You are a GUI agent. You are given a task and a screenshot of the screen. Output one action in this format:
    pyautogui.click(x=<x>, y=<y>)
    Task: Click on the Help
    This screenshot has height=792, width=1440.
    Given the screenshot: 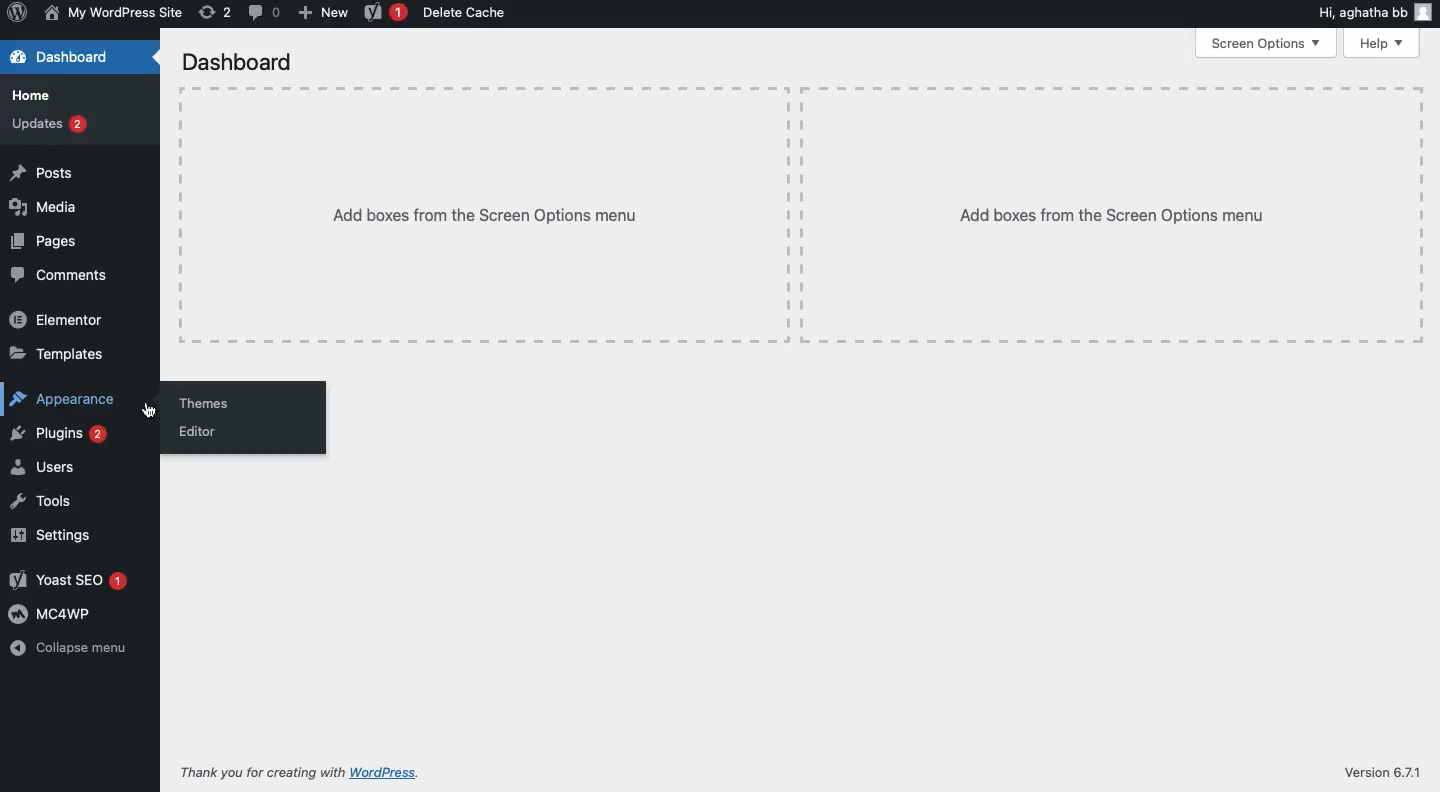 What is the action you would take?
    pyautogui.click(x=1385, y=44)
    